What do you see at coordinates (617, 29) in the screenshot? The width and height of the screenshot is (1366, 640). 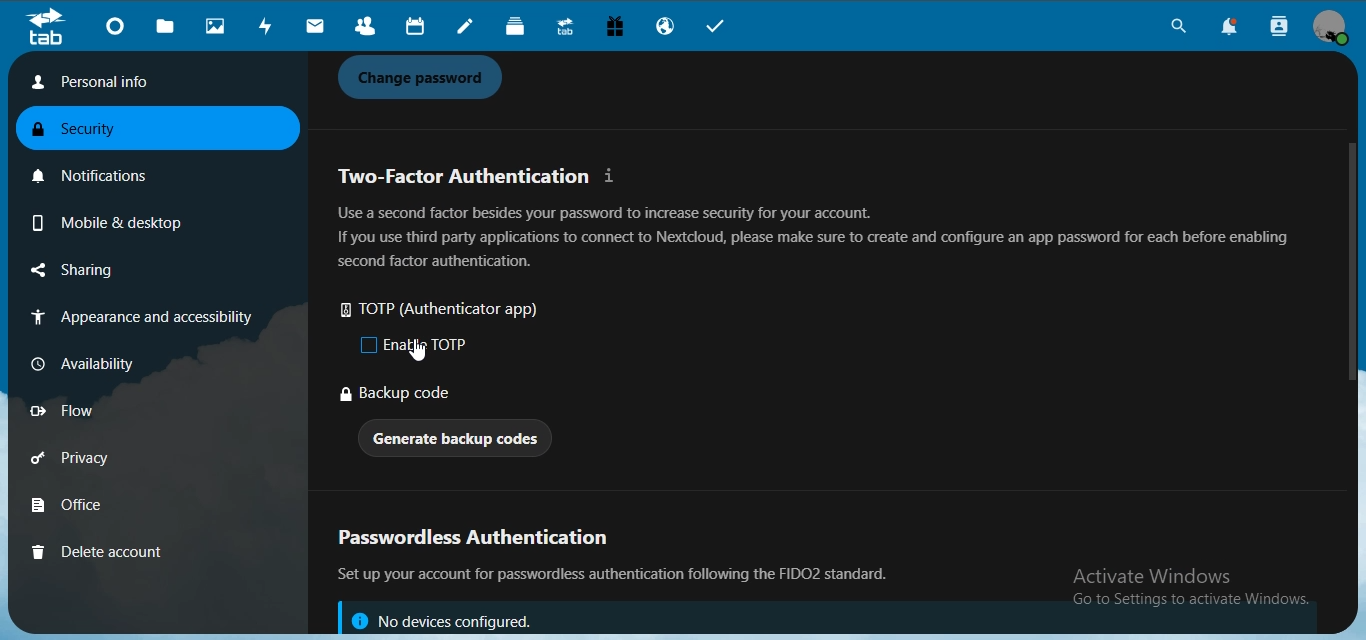 I see `free trial` at bounding box center [617, 29].